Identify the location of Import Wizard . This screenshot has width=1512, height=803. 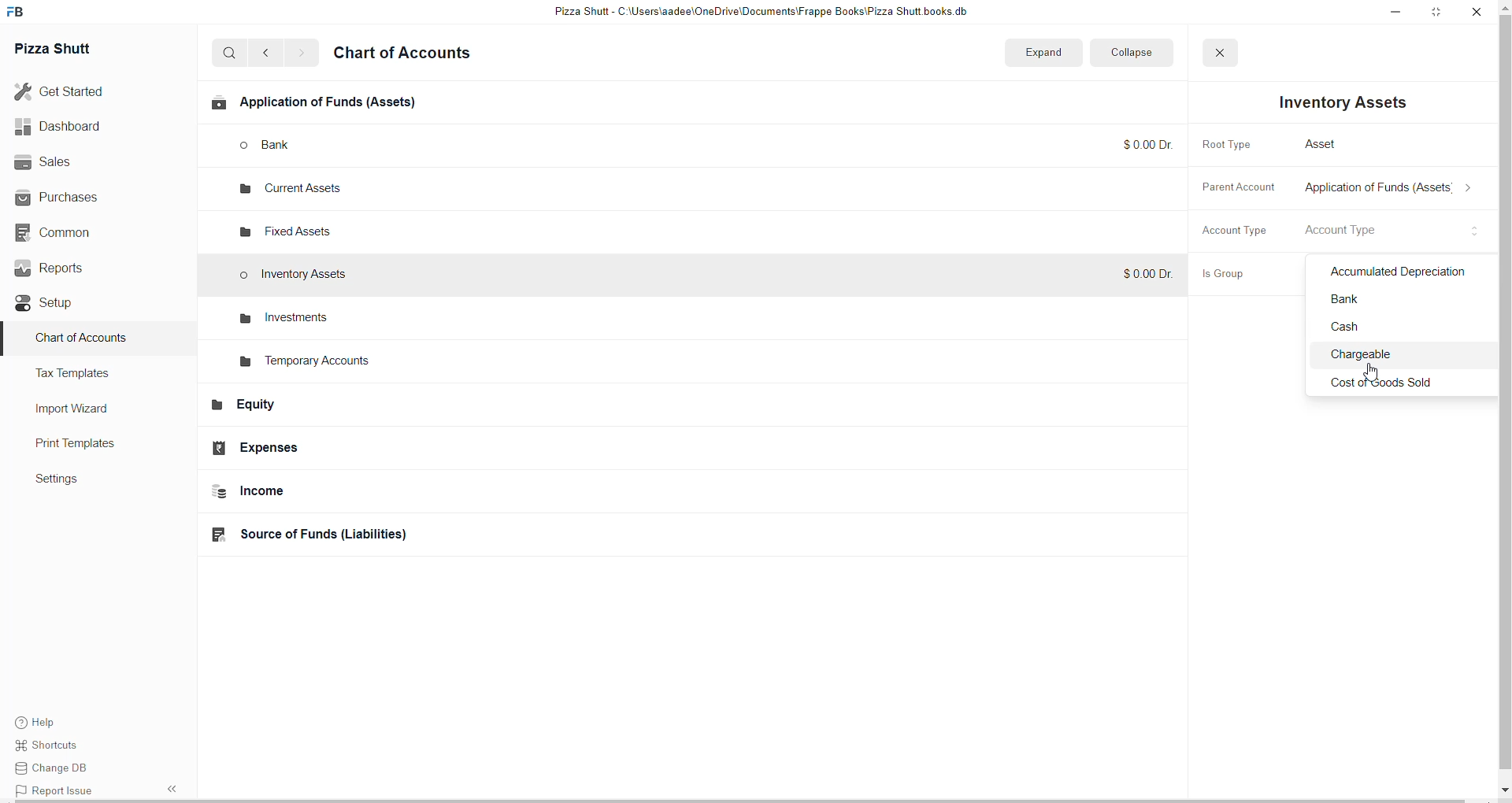
(81, 409).